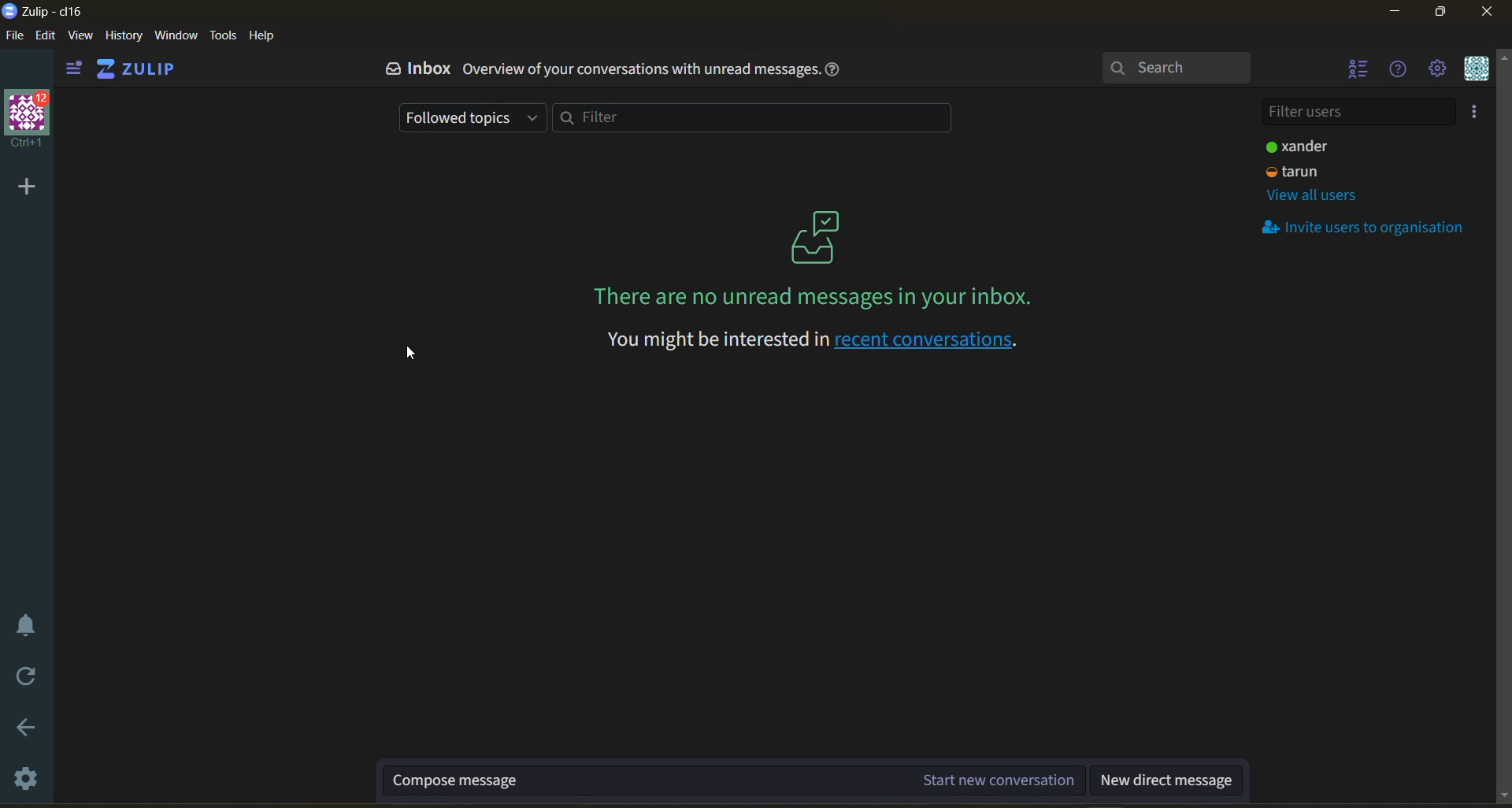  I want to click on view, so click(84, 37).